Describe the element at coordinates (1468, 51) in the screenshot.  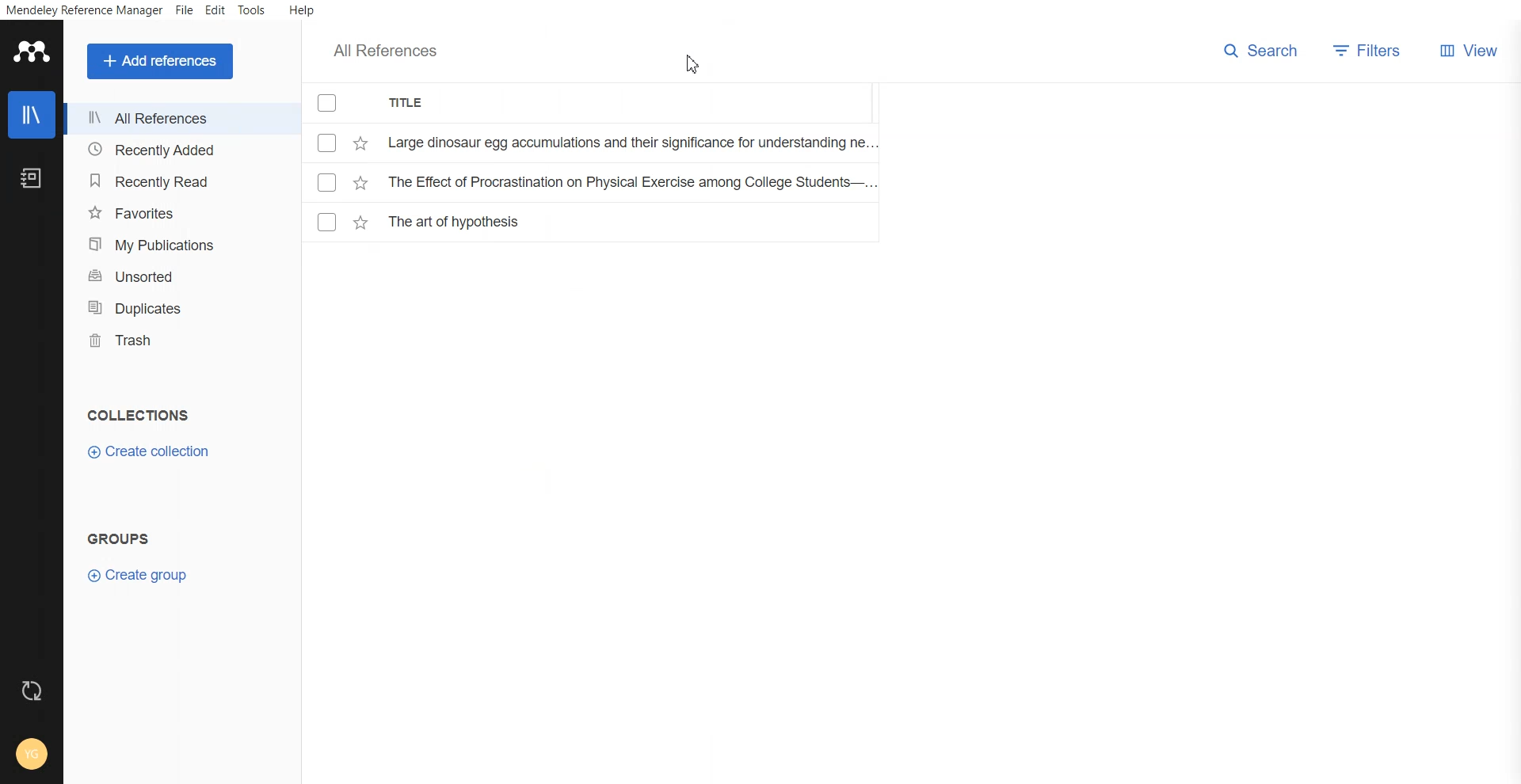
I see `Veiw` at that location.